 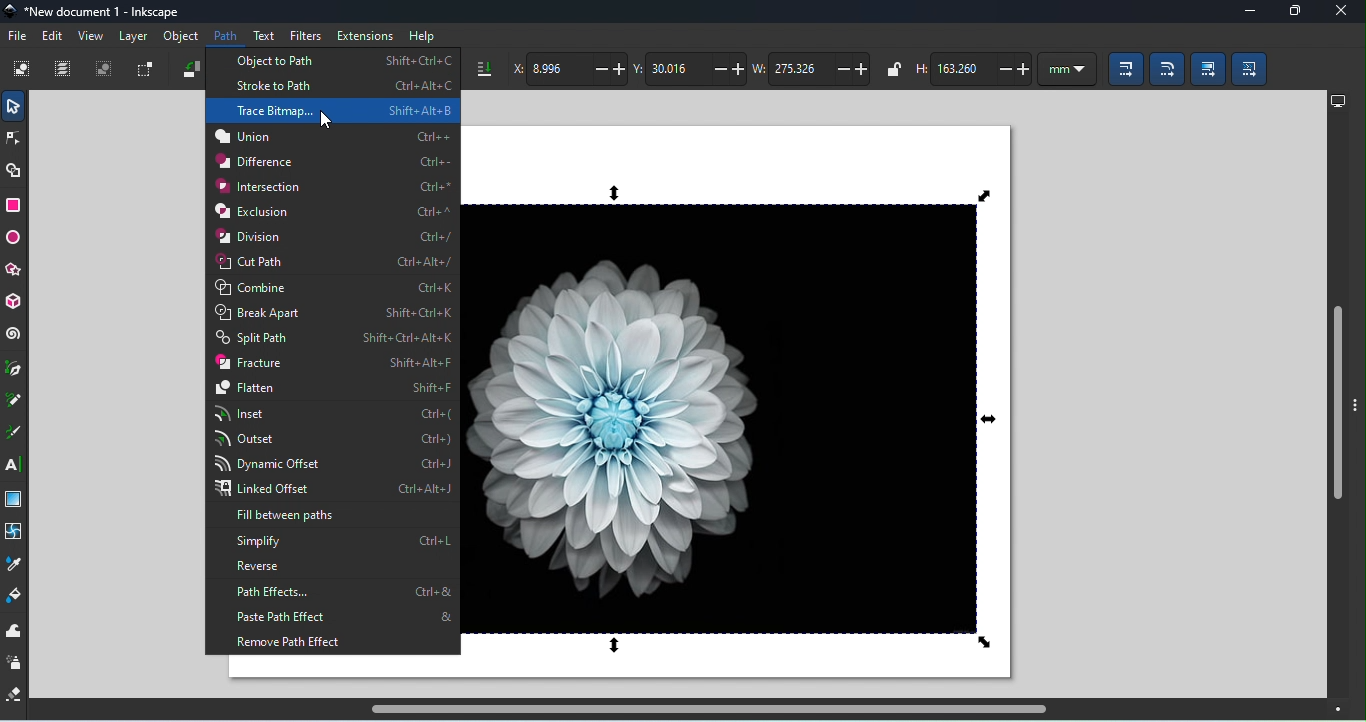 I want to click on Minimize, so click(x=1244, y=13).